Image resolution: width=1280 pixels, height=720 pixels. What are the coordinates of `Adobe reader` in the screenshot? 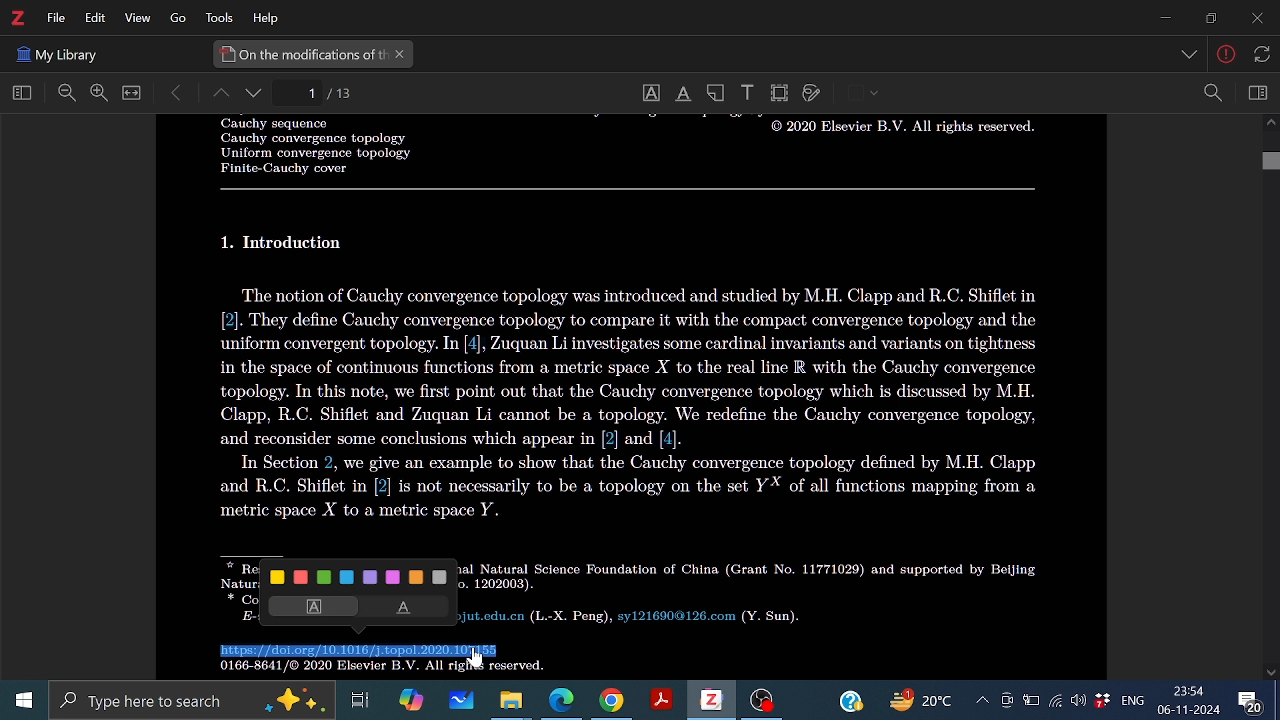 It's located at (660, 701).